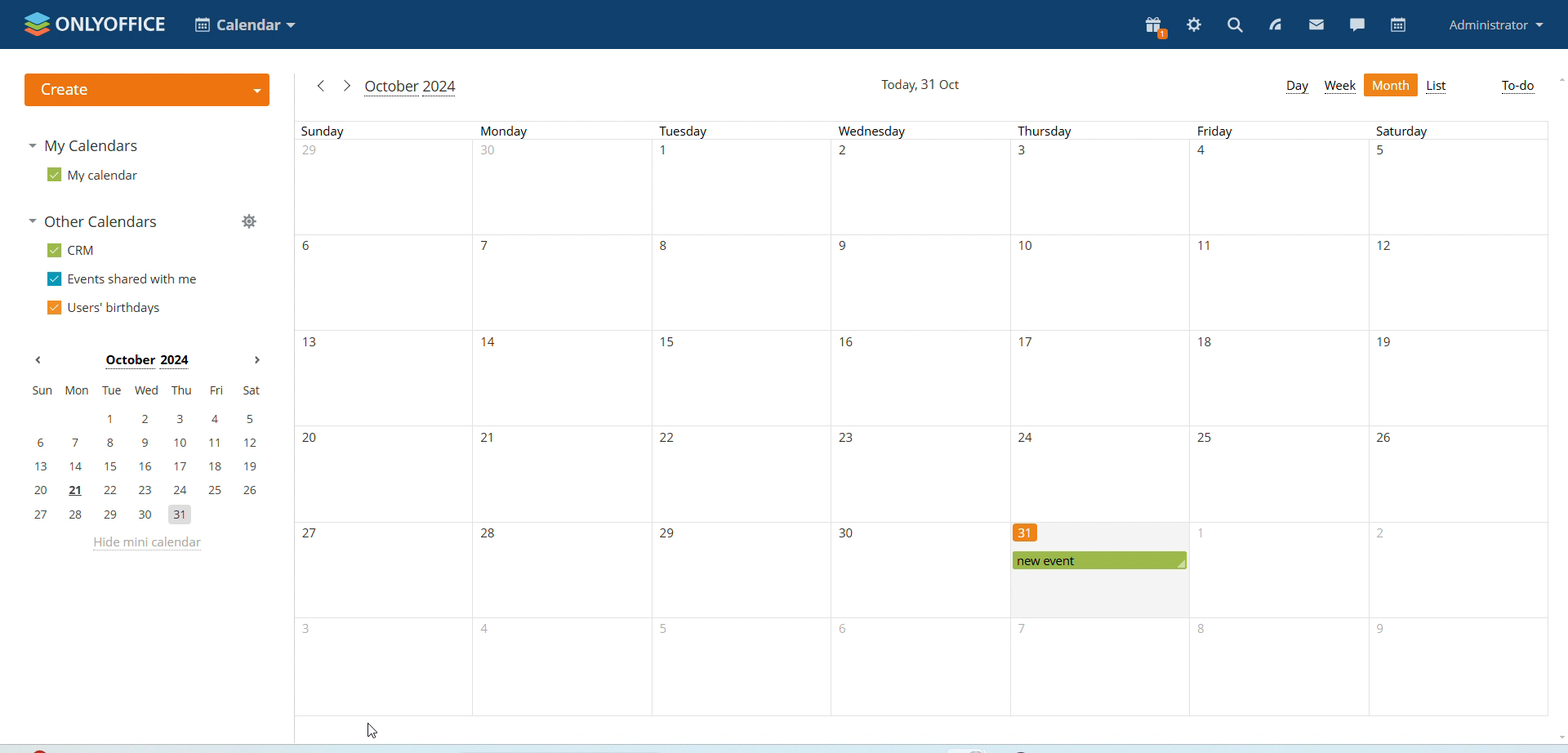 The width and height of the screenshot is (1568, 753). What do you see at coordinates (121, 278) in the screenshot?
I see `events shared with me` at bounding box center [121, 278].